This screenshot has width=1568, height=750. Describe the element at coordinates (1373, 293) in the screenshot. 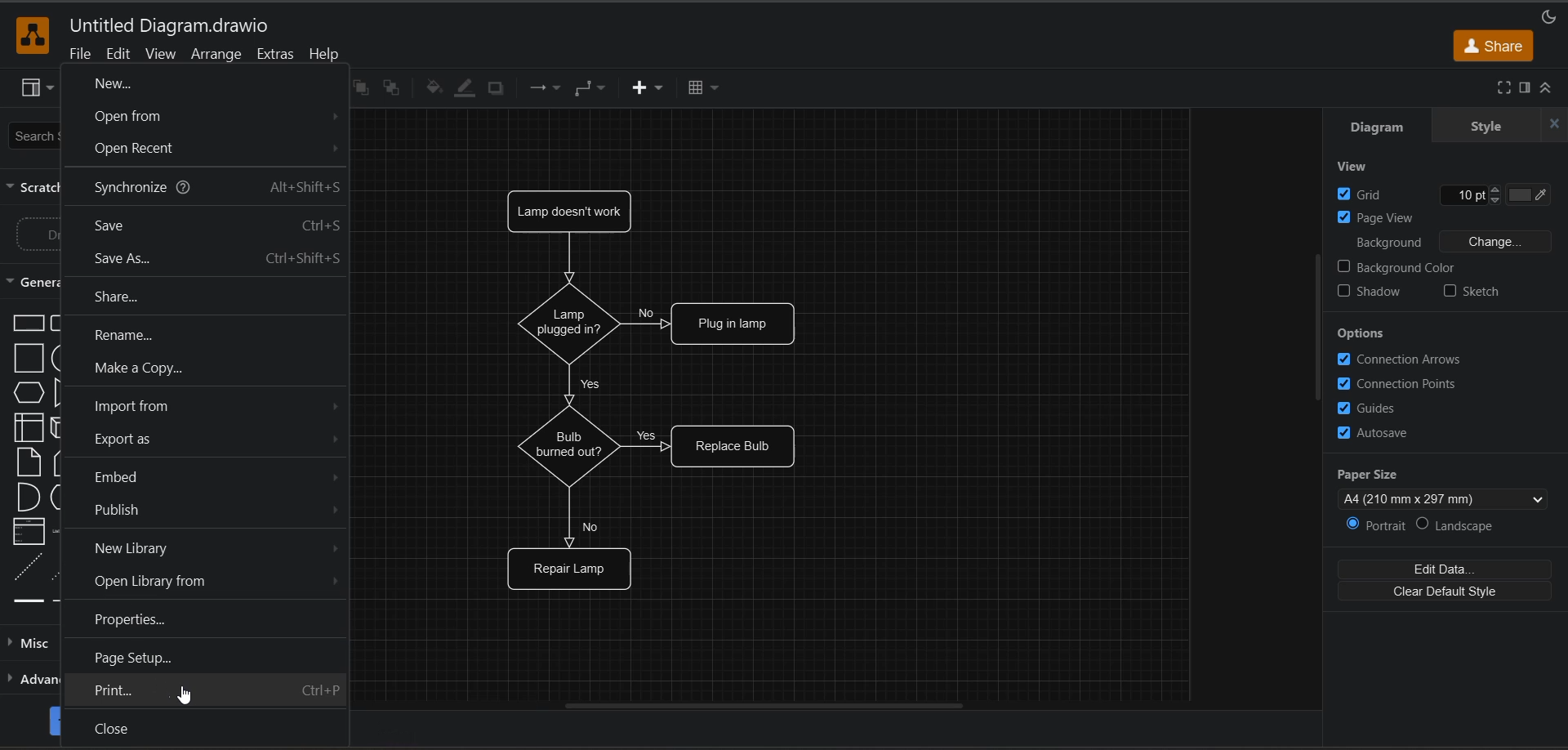

I see `shadow` at that location.